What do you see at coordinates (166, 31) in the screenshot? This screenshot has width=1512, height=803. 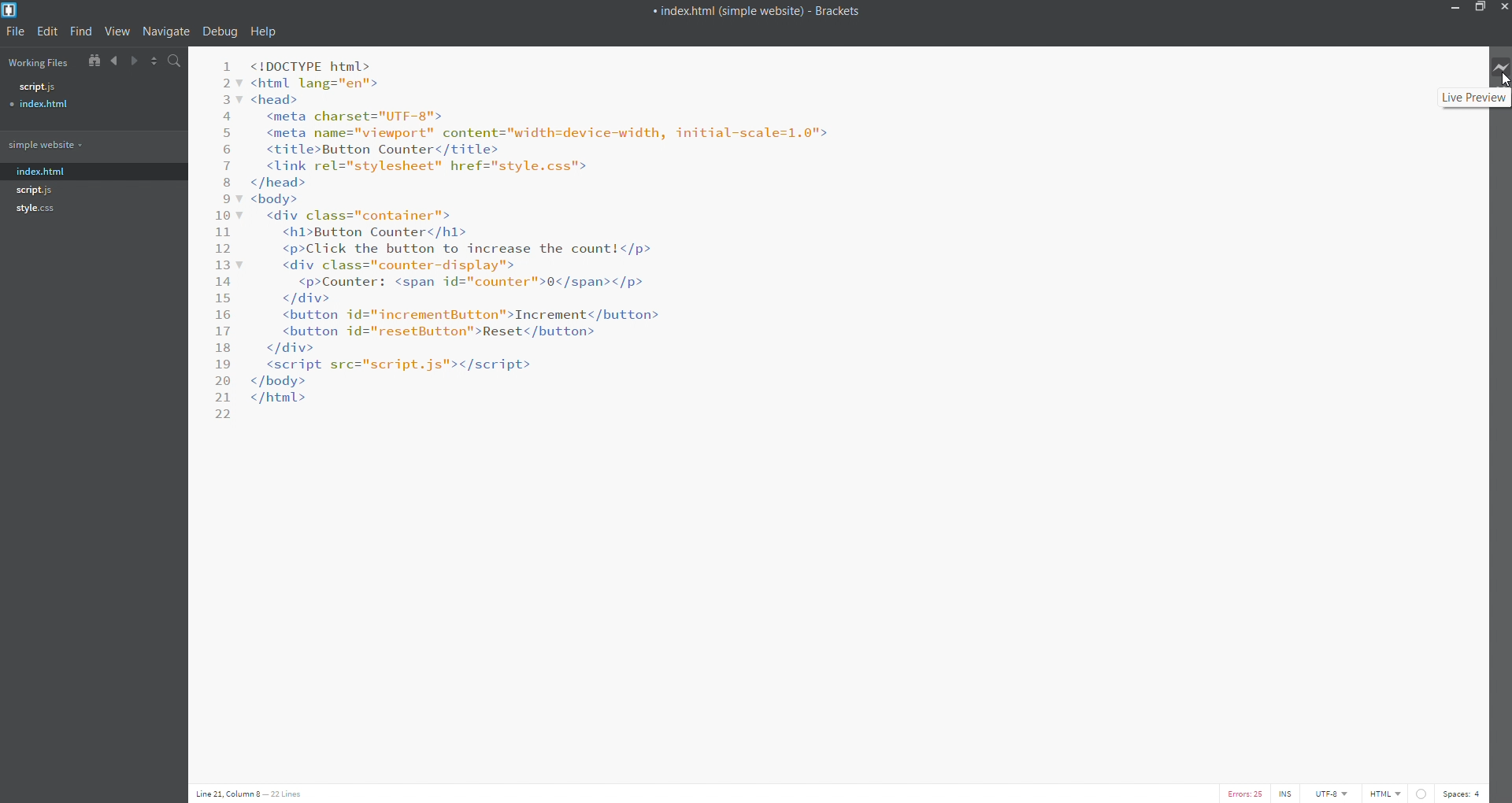 I see `navigate` at bounding box center [166, 31].